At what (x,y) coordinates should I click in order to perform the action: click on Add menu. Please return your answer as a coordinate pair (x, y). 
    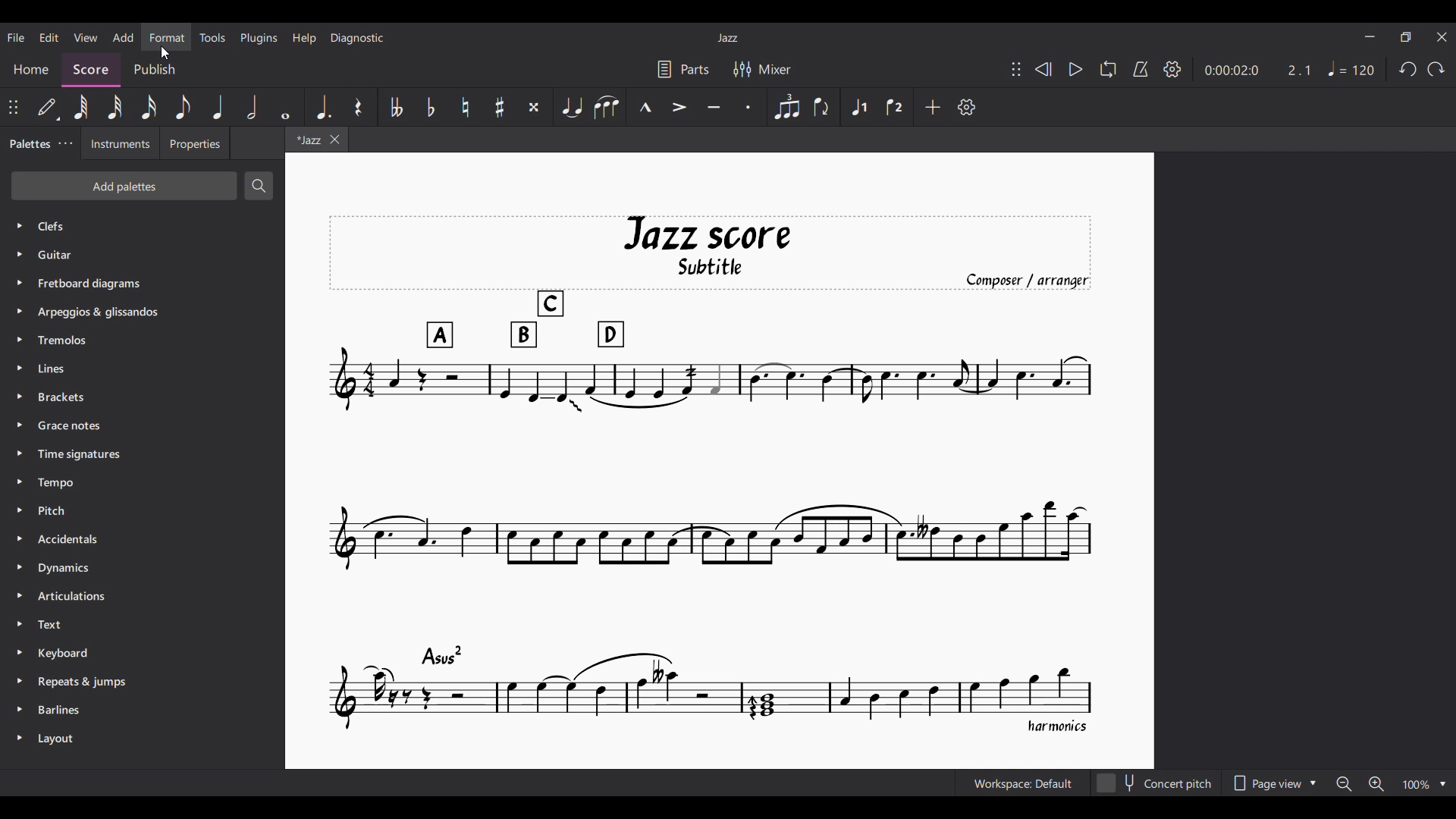
    Looking at the image, I should click on (123, 37).